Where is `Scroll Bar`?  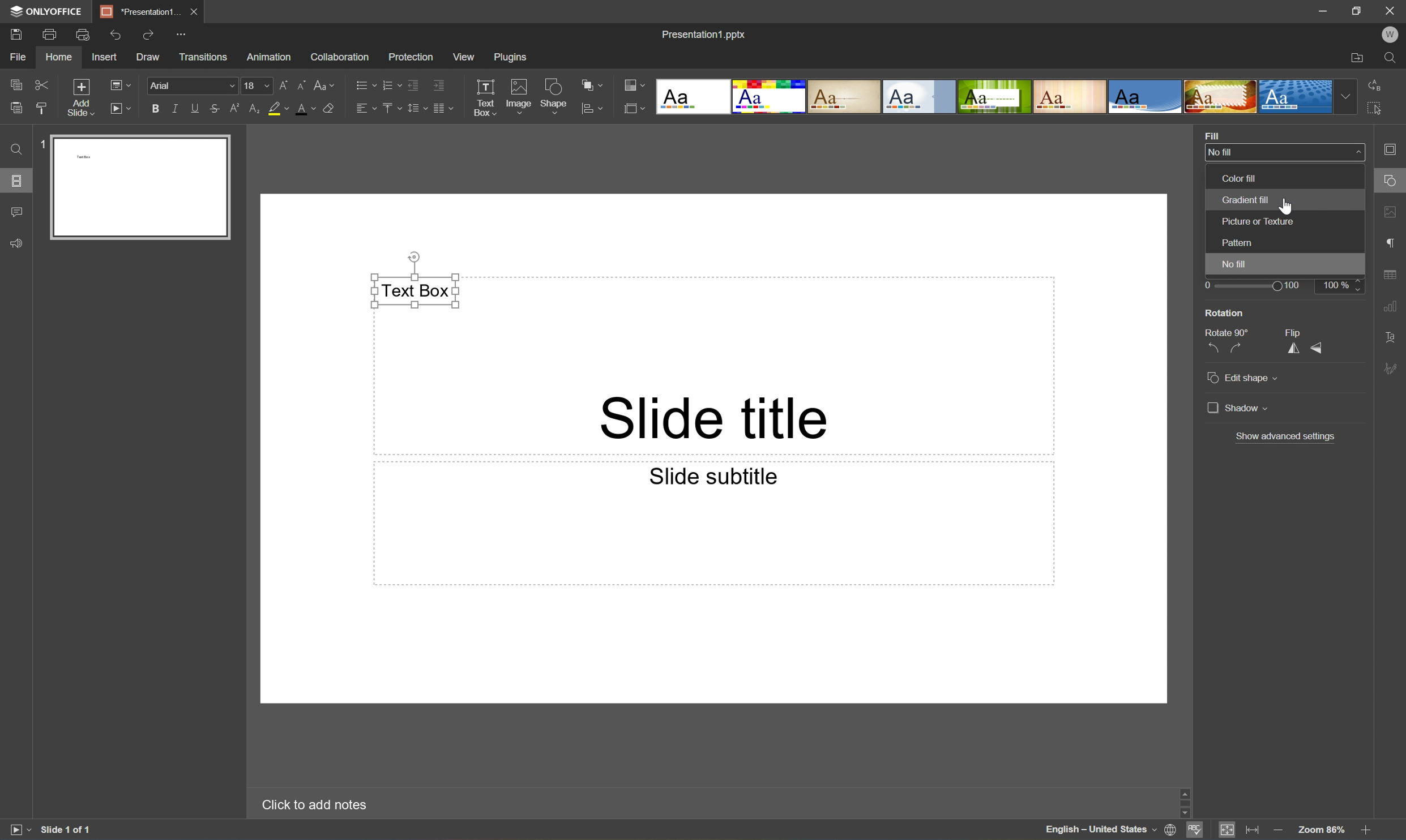
Scroll Bar is located at coordinates (1368, 800).